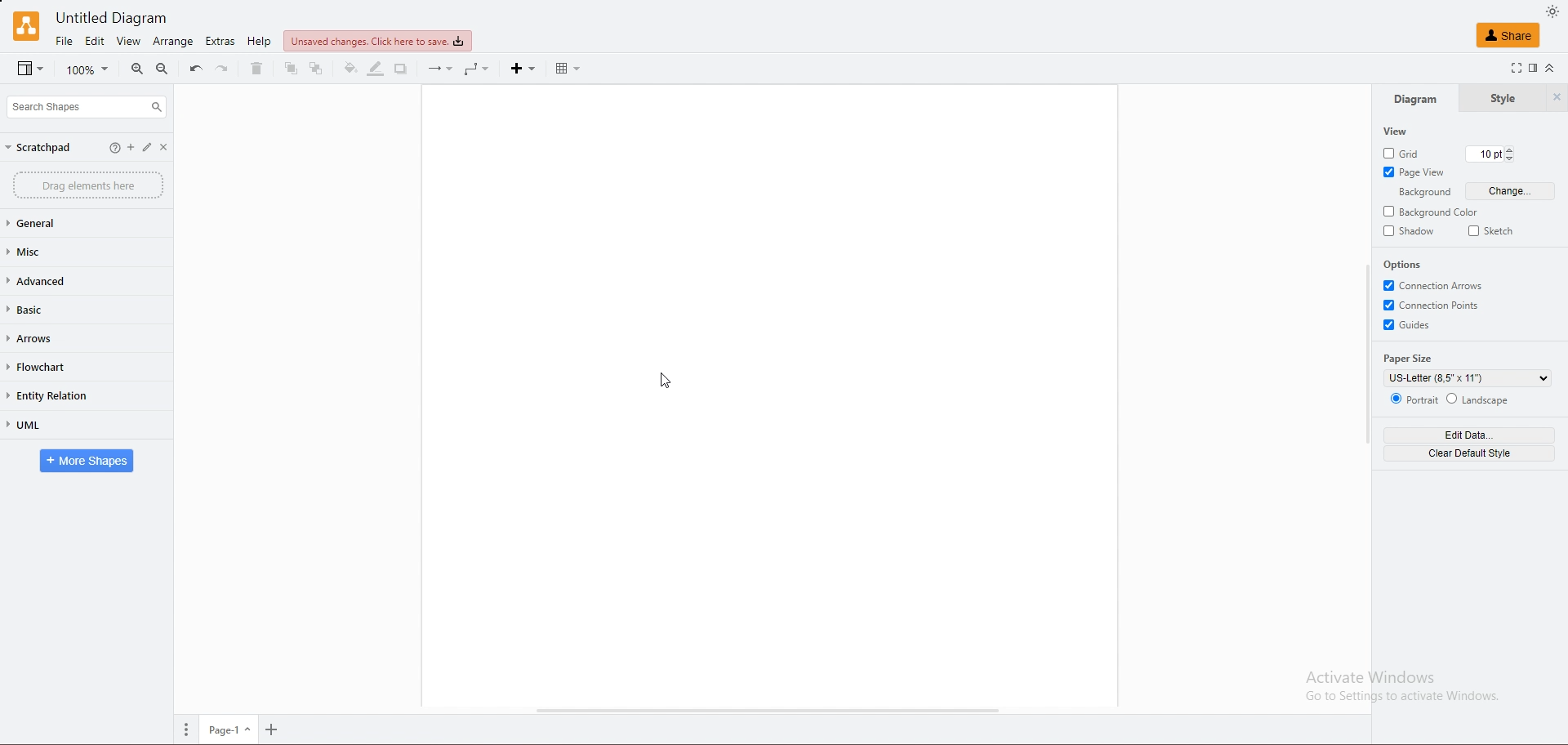  I want to click on landscape, so click(1483, 399).